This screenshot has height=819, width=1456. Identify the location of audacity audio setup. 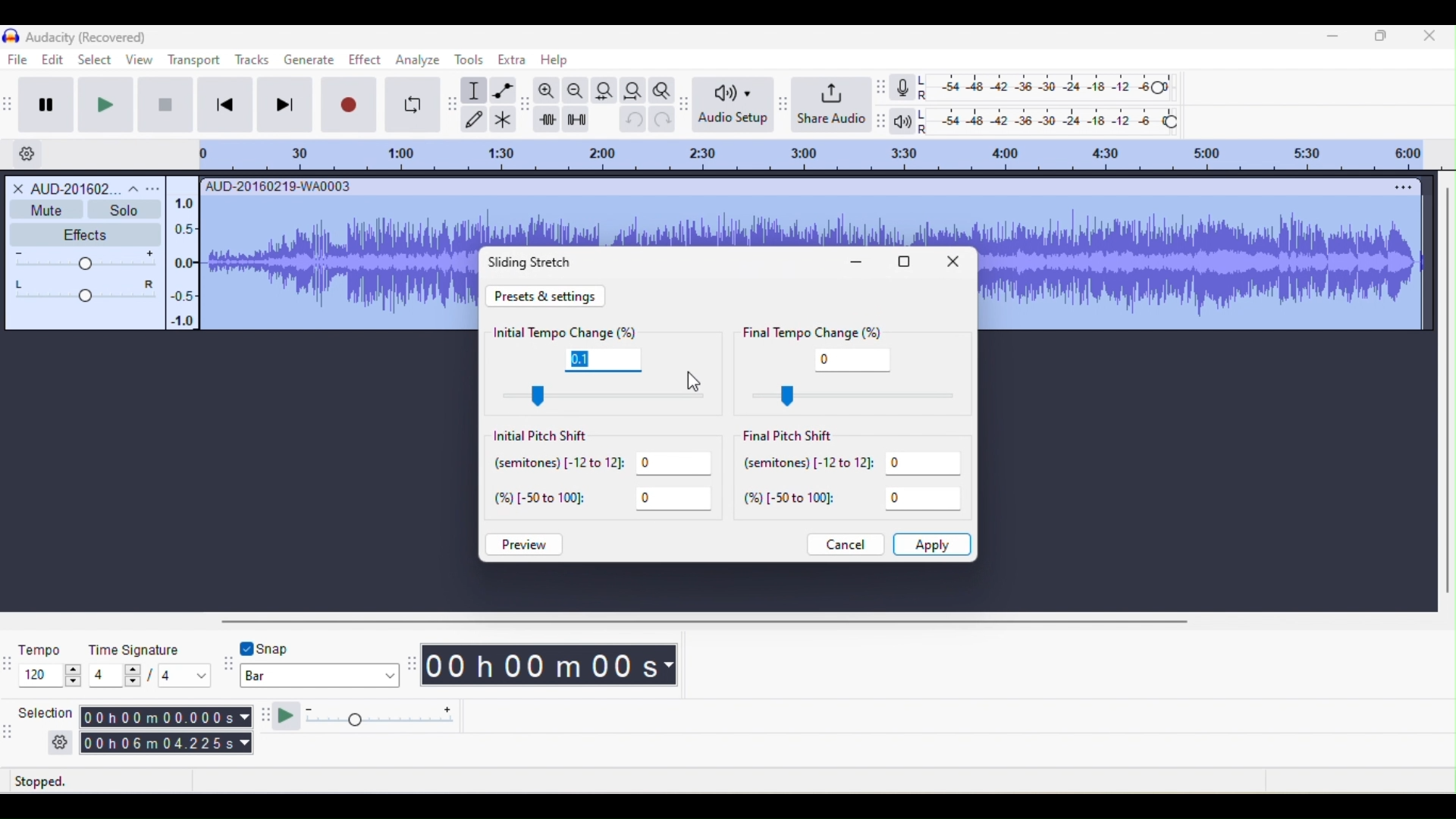
(686, 102).